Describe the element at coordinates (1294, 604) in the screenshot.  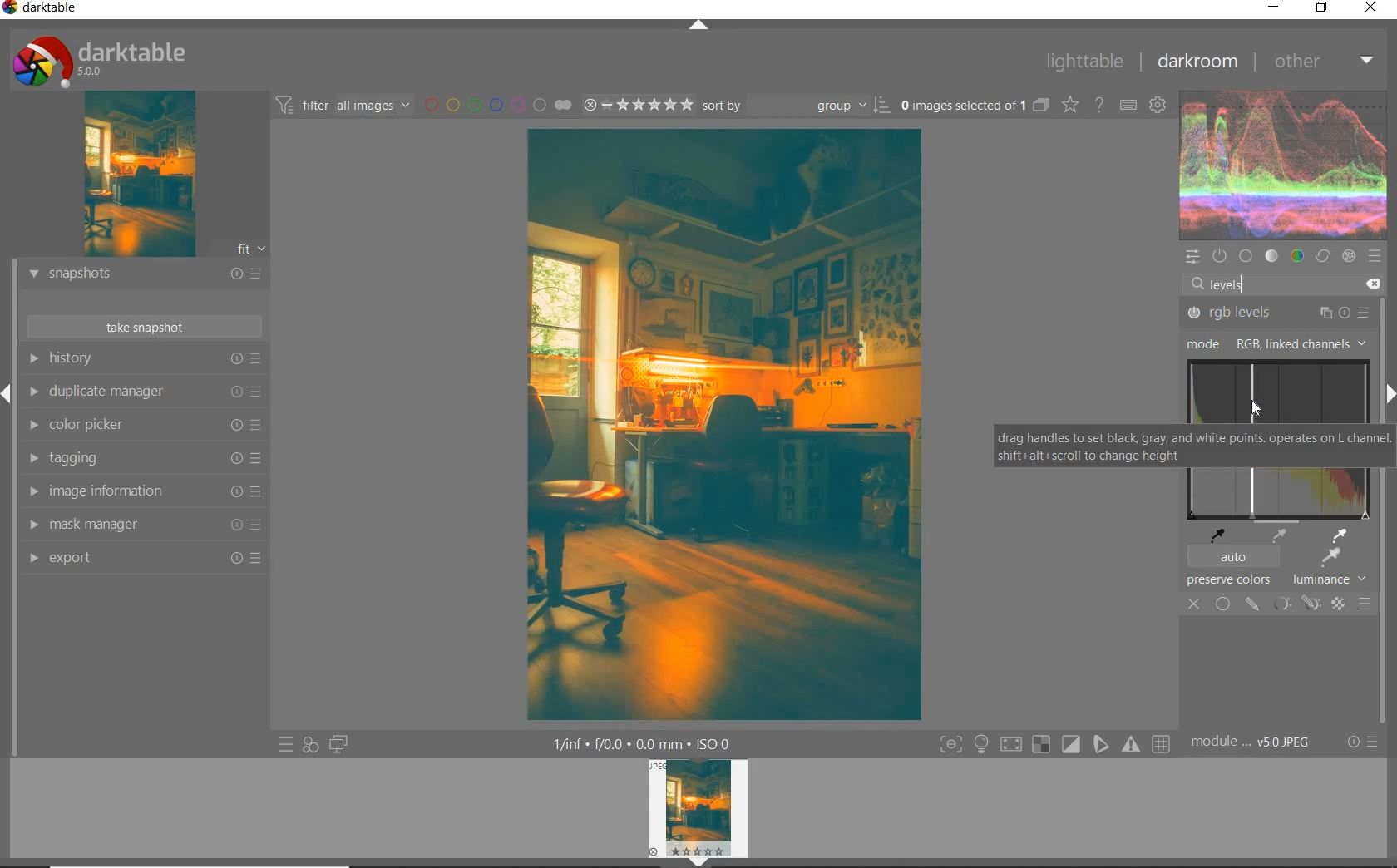
I see `mask options` at that location.